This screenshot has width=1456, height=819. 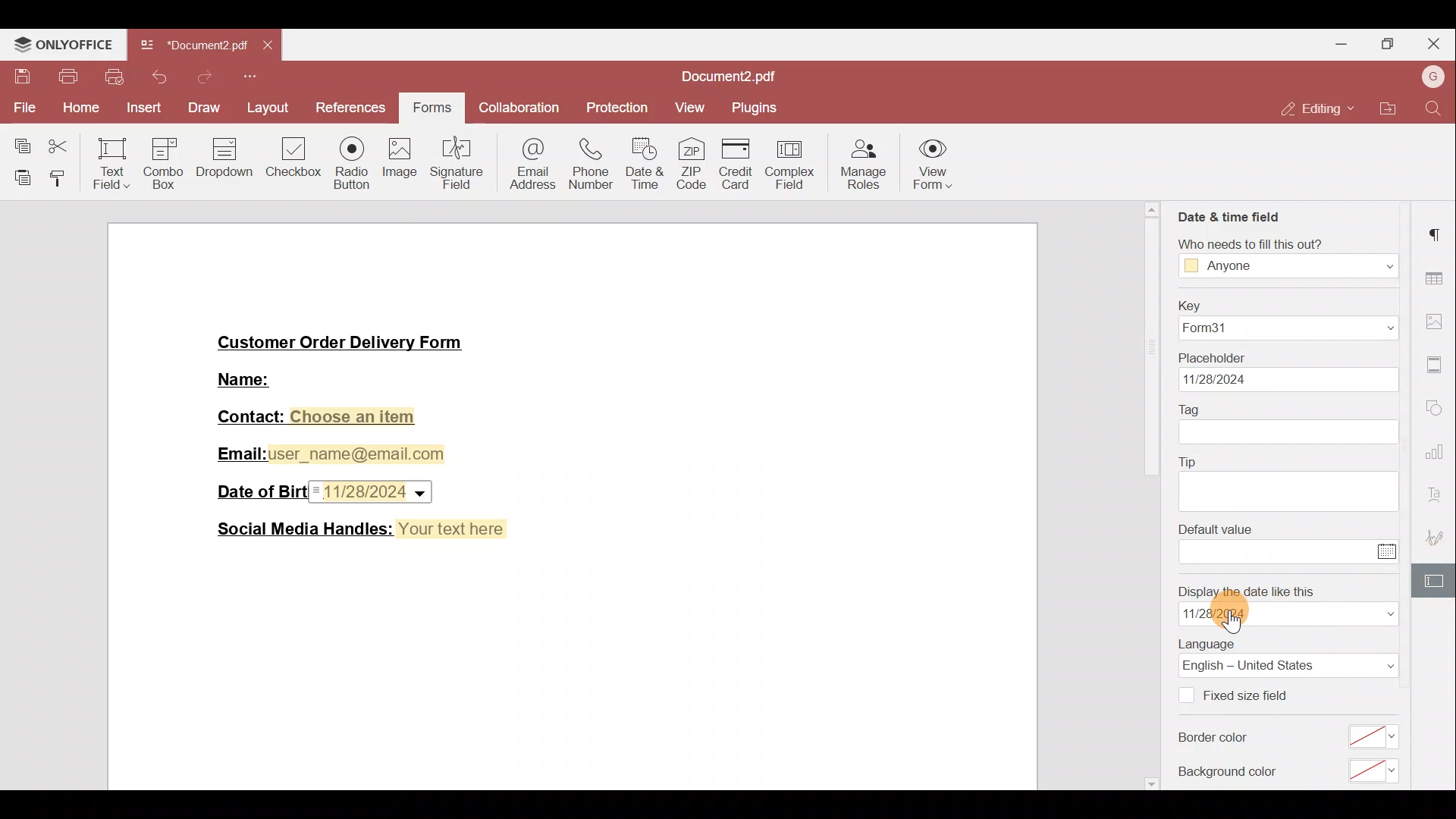 What do you see at coordinates (1373, 736) in the screenshot?
I see `select border color` at bounding box center [1373, 736].